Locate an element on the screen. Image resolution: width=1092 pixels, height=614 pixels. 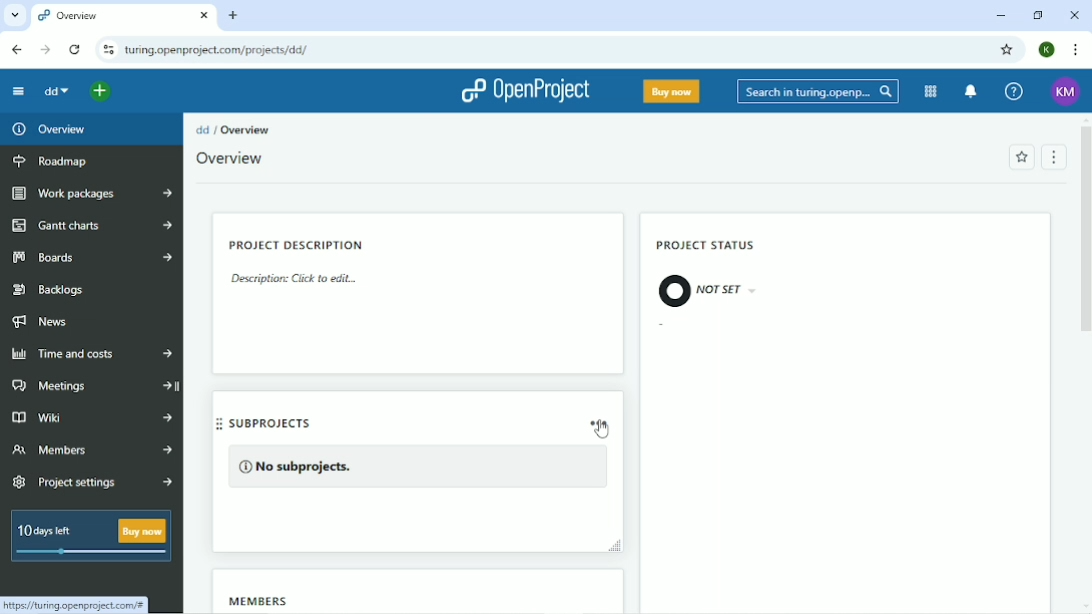
Boards is located at coordinates (93, 258).